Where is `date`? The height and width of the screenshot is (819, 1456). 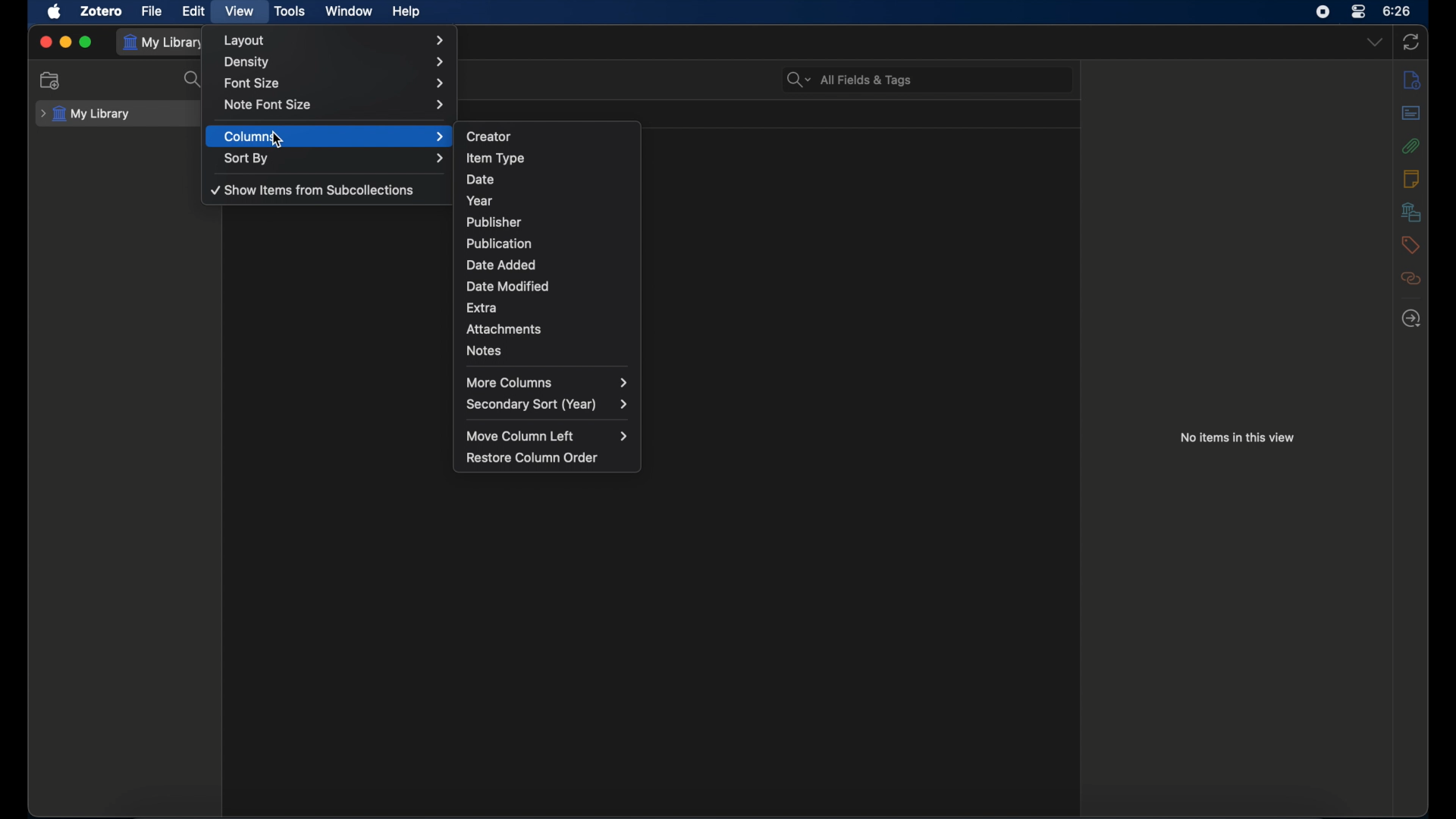 date is located at coordinates (548, 180).